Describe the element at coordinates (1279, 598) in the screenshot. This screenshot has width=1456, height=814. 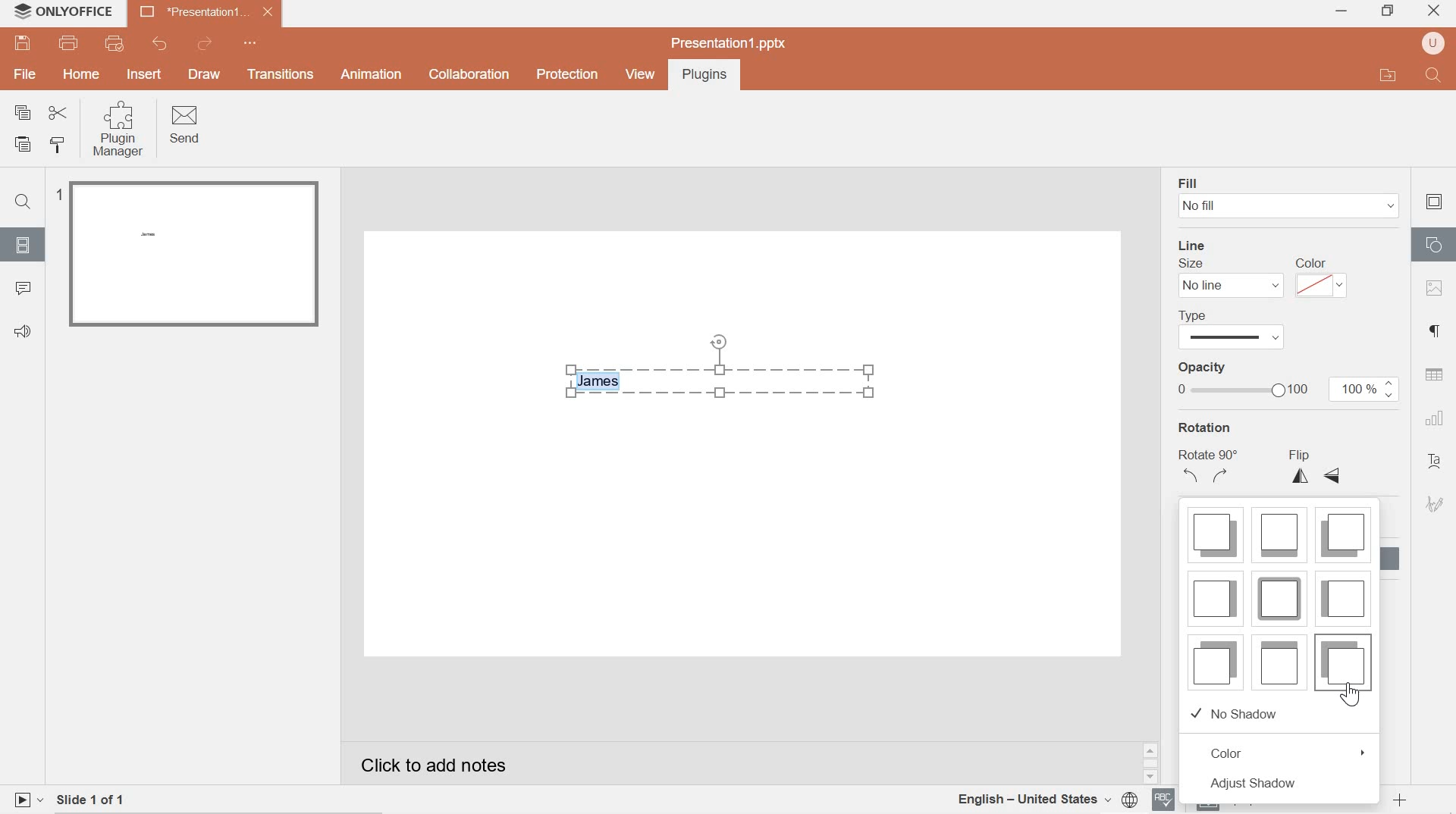
I see `shadow style` at that location.